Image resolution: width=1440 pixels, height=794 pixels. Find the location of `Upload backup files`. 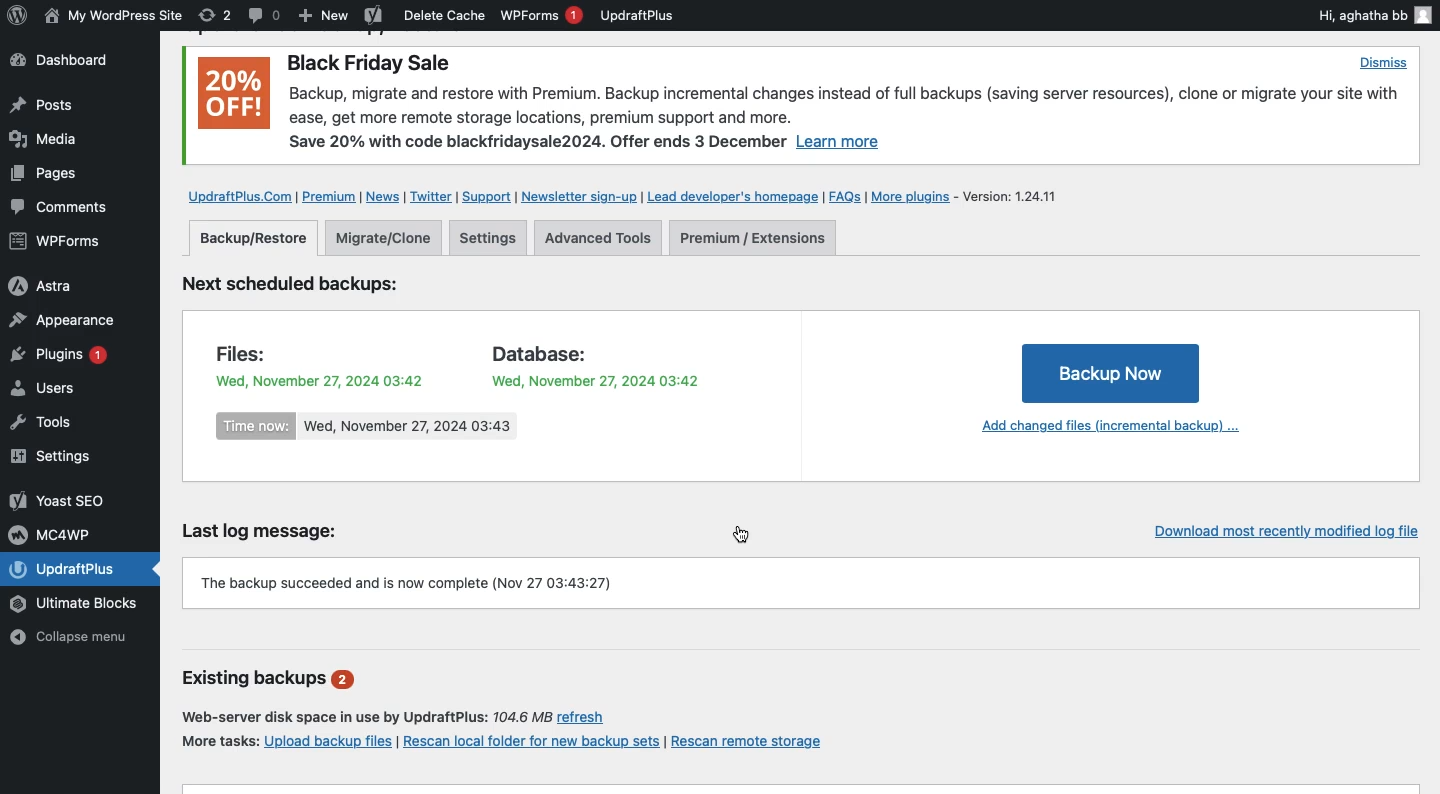

Upload backup files is located at coordinates (325, 743).